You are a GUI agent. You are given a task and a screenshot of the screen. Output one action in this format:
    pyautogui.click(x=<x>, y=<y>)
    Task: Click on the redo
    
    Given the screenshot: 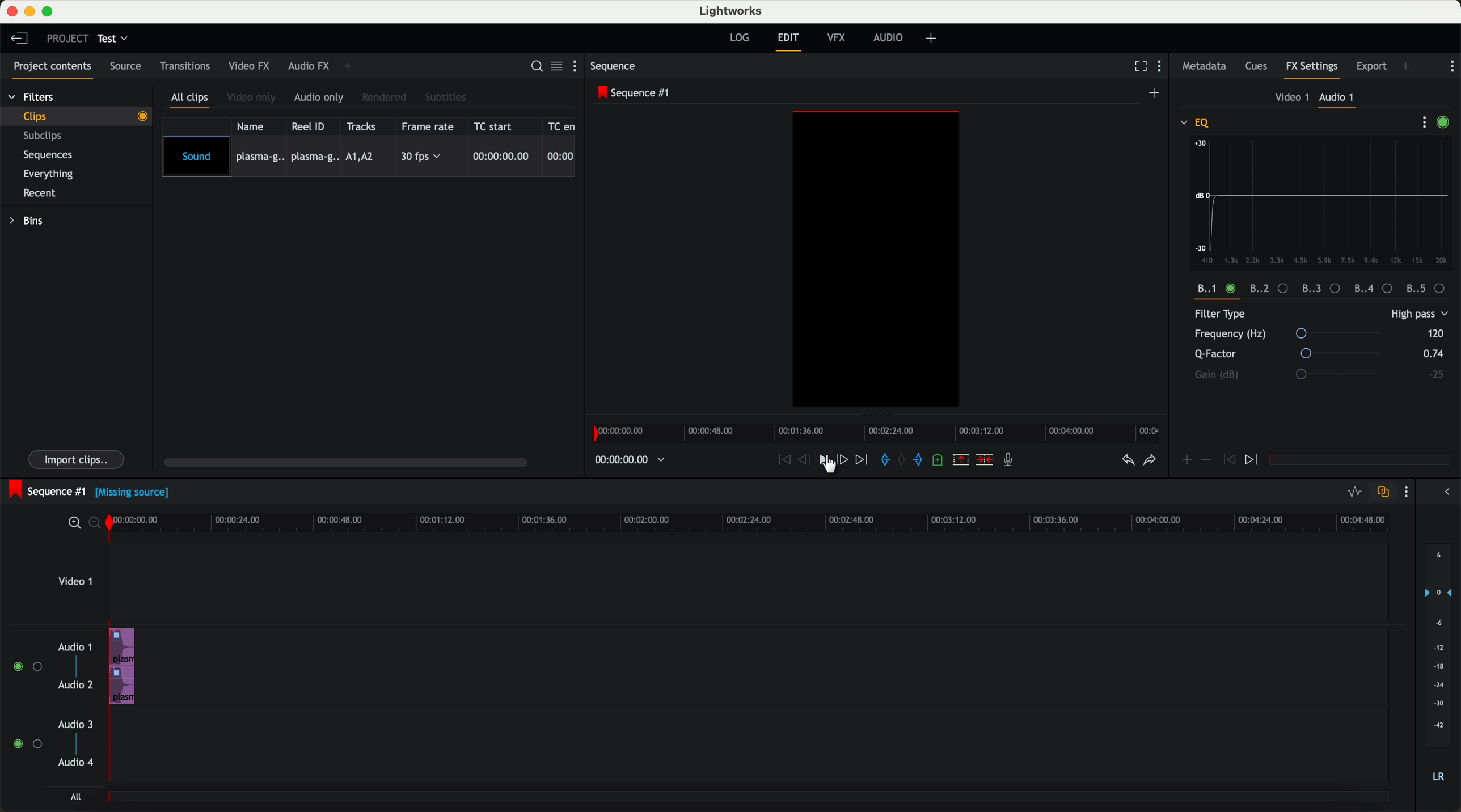 What is the action you would take?
    pyautogui.click(x=1148, y=462)
    